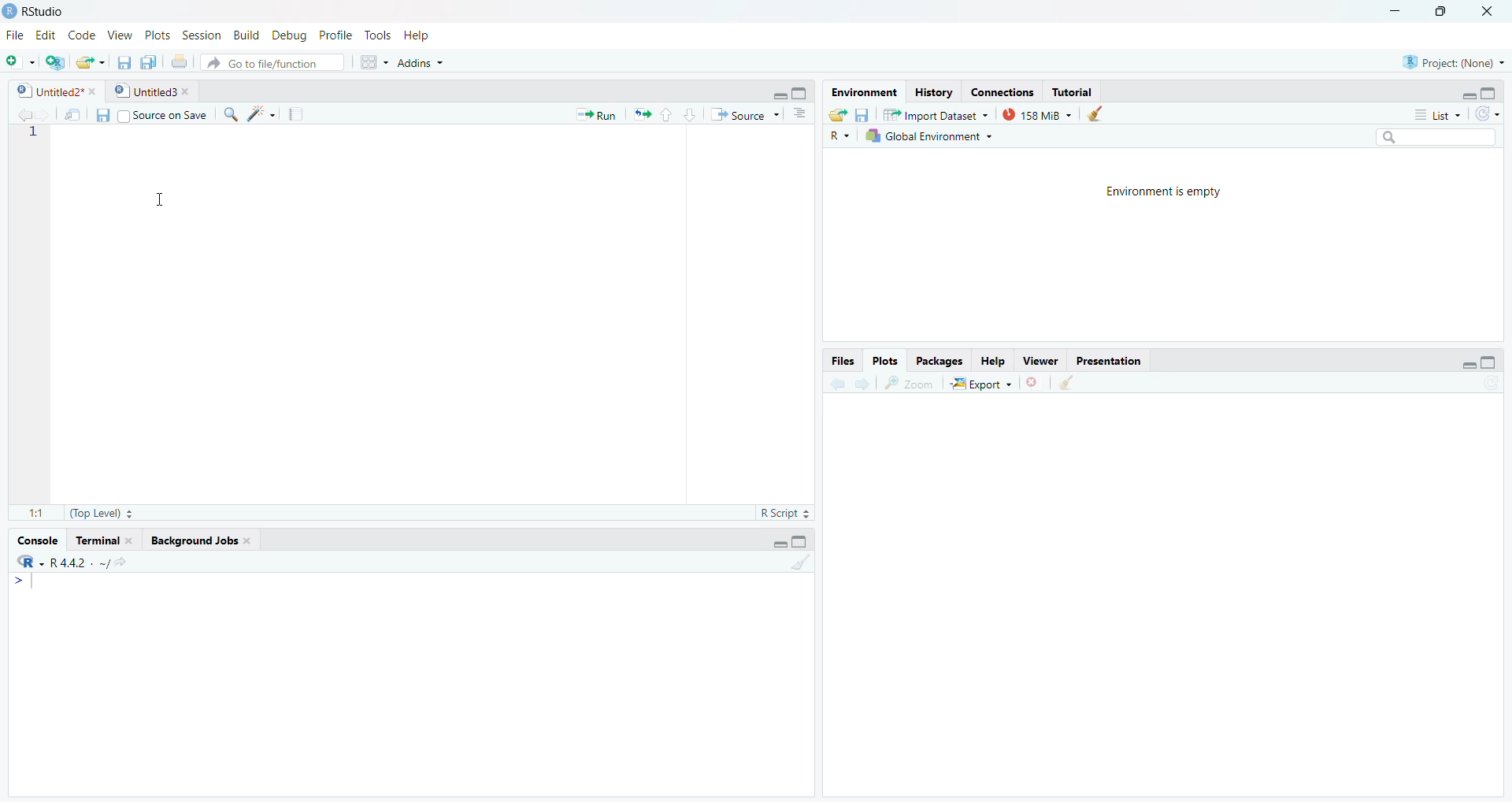  Describe the element at coordinates (1450, 58) in the screenshot. I see `@ Proiect: (None) ~` at that location.